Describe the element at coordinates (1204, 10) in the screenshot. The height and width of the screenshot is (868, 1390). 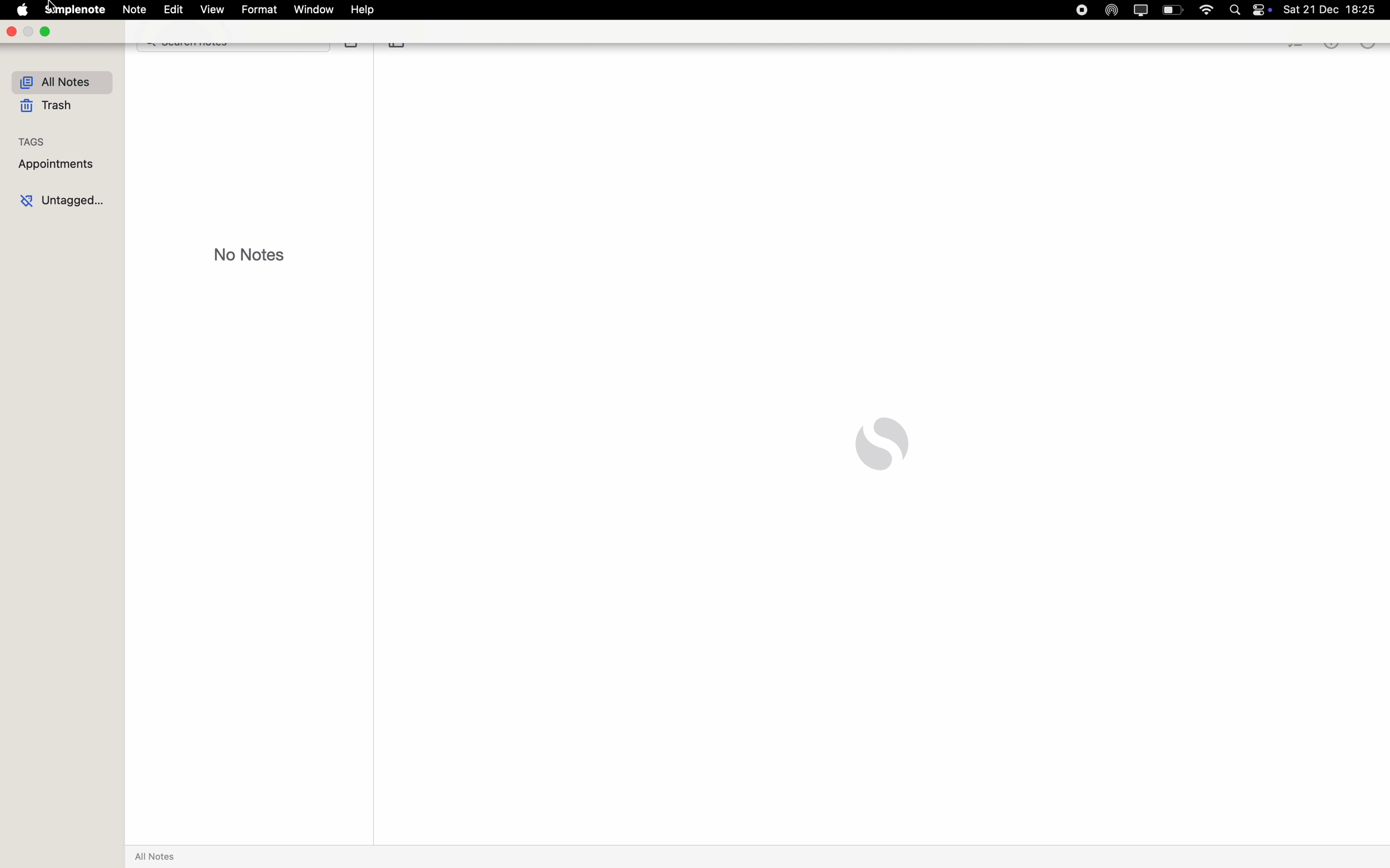
I see `wifi` at that location.